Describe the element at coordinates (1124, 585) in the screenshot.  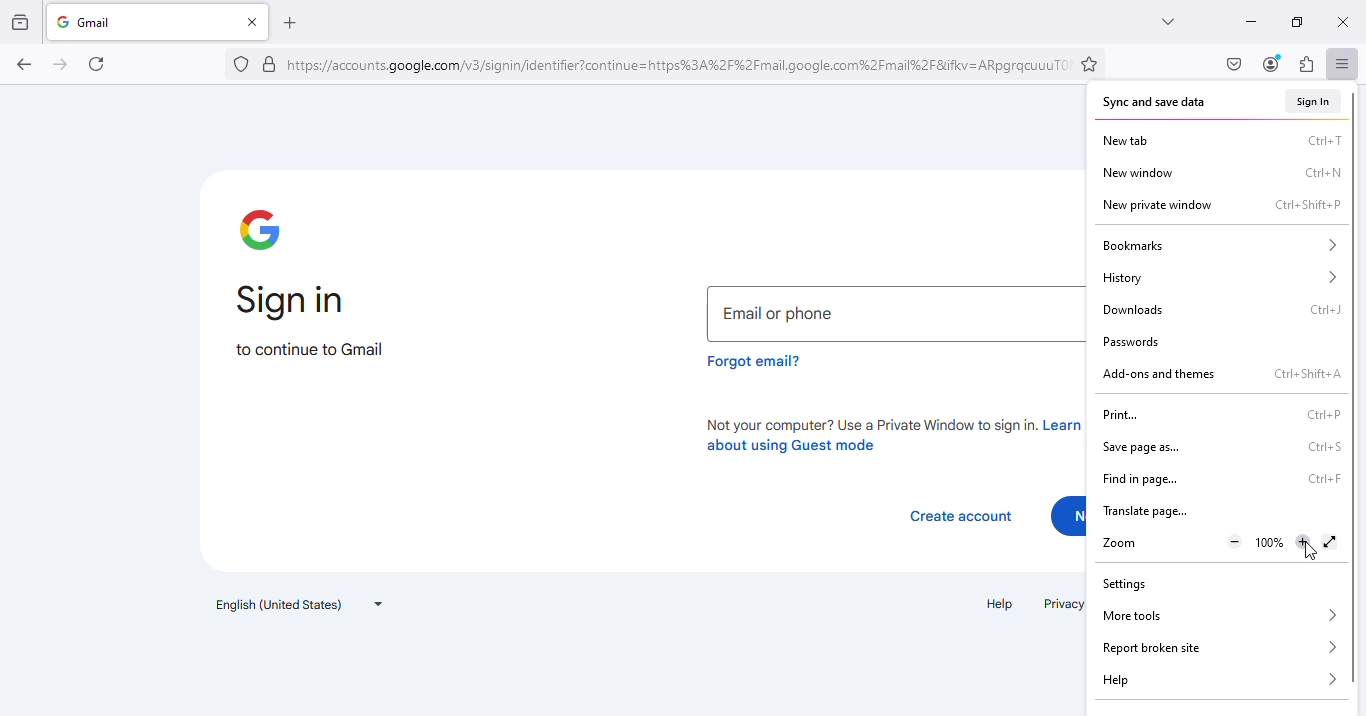
I see `settings` at that location.